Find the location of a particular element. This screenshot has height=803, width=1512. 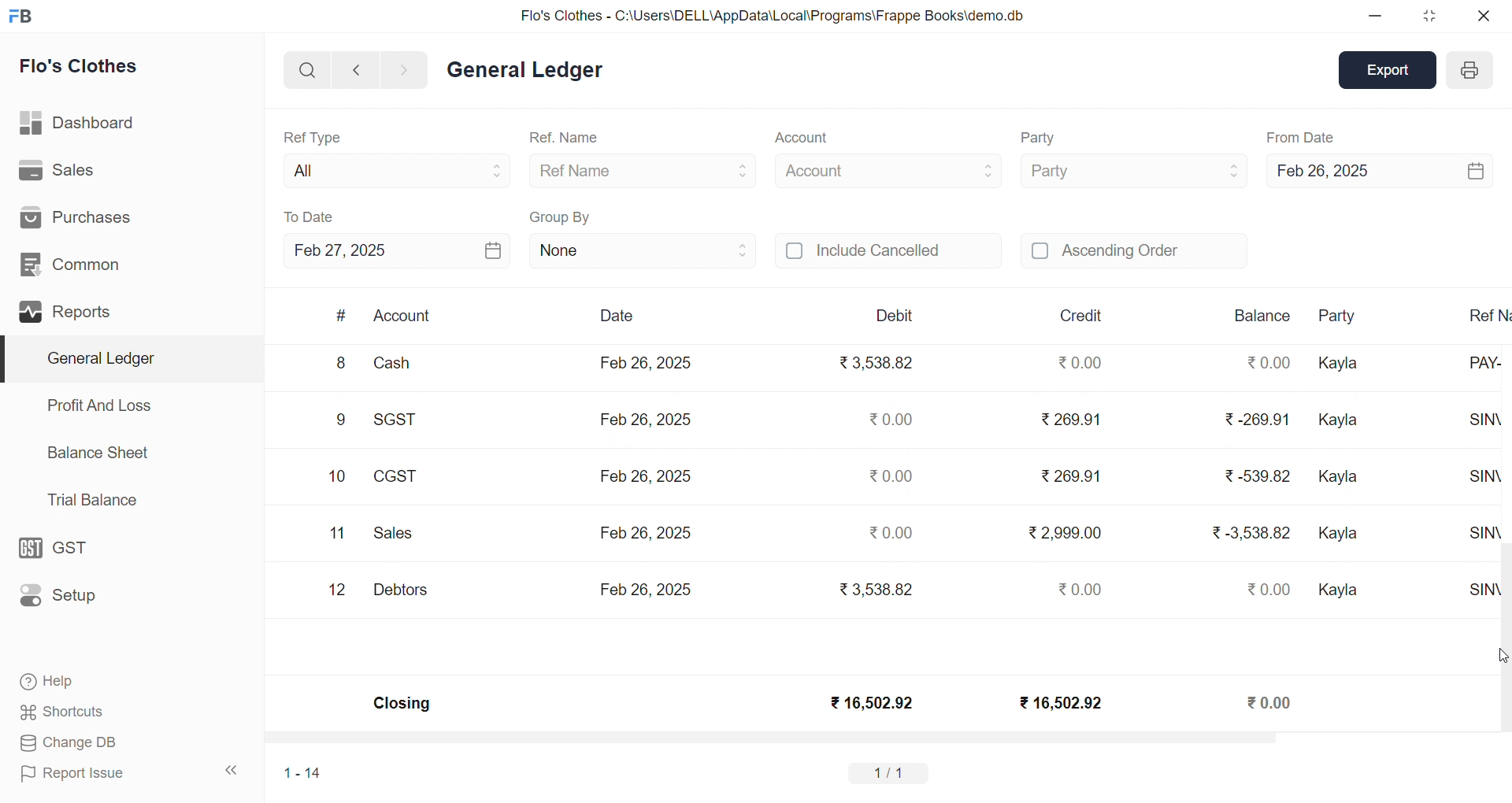

Party is located at coordinates (1132, 169).